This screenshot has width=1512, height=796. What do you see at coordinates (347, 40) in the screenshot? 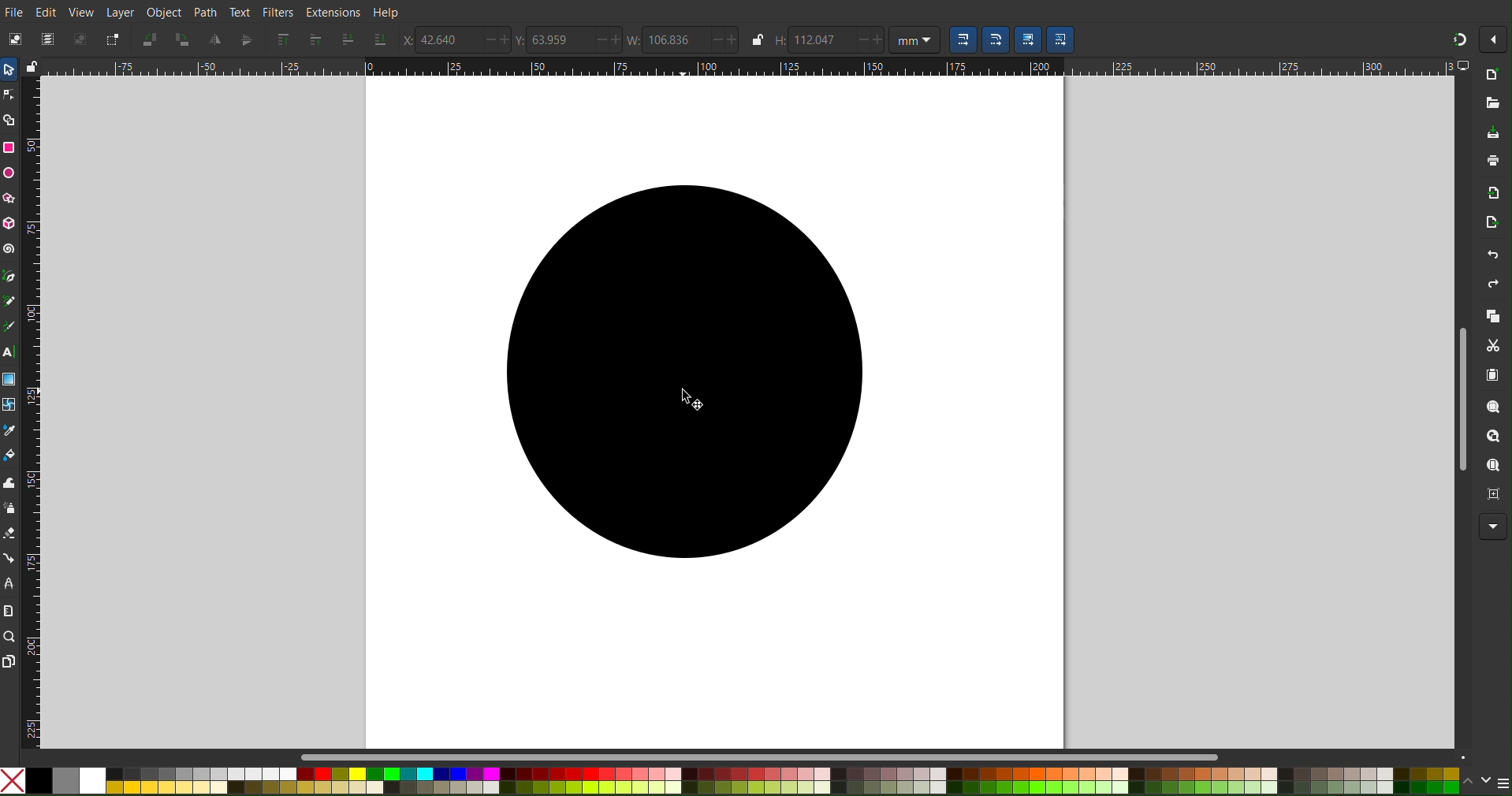
I see `Send one layer down` at bounding box center [347, 40].